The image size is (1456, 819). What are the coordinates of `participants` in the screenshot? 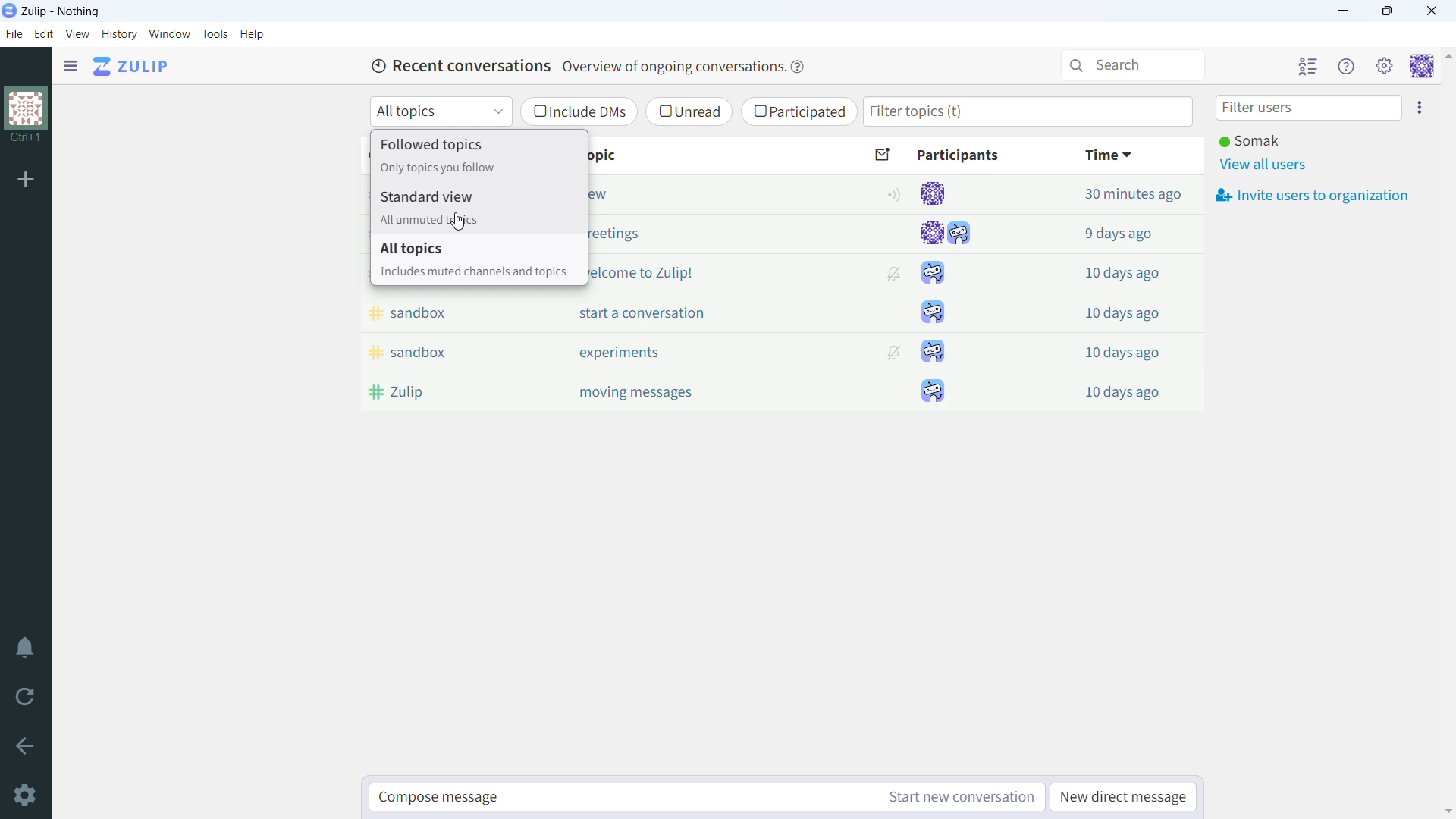 It's located at (975, 158).